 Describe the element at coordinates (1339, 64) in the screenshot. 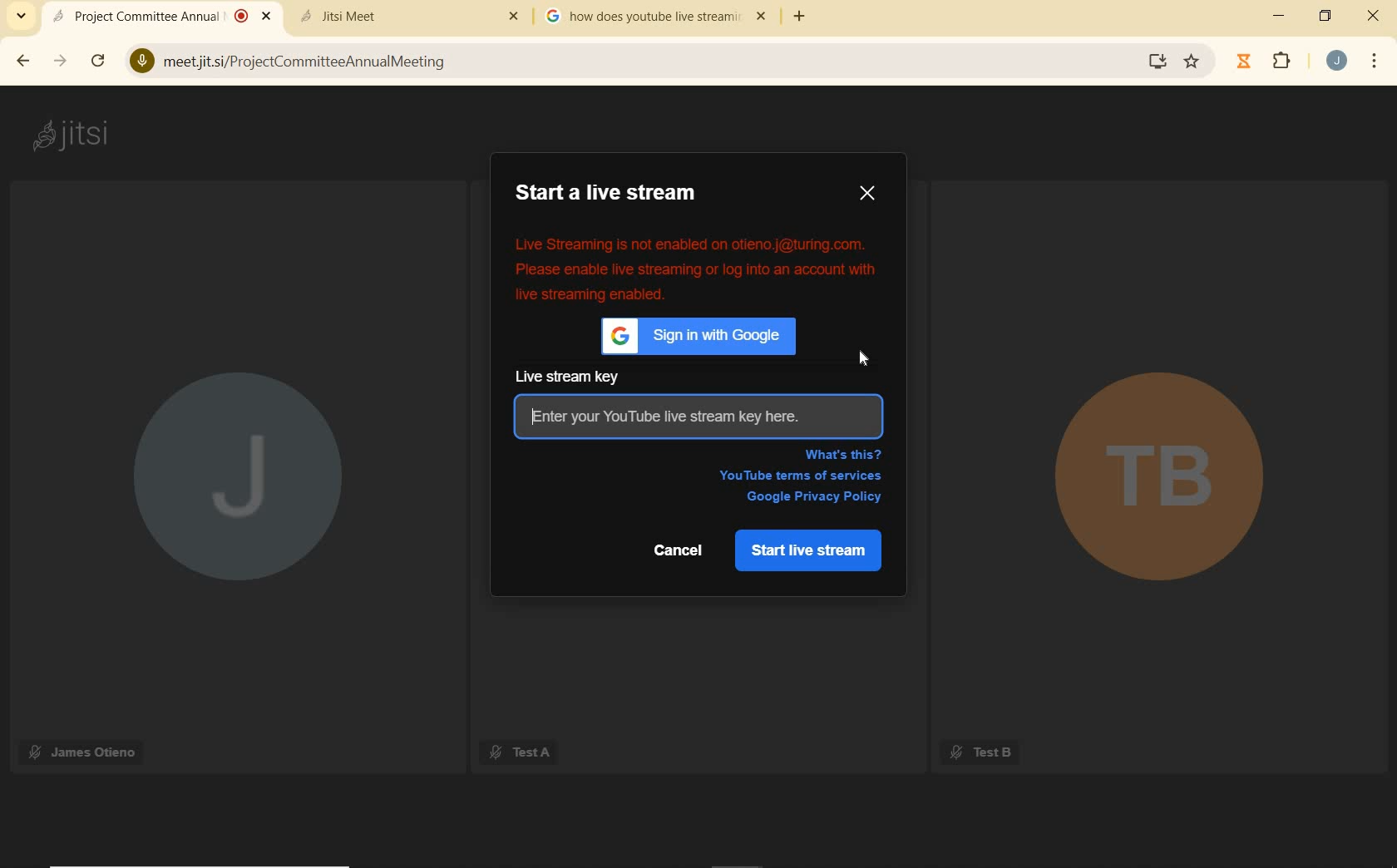

I see `account` at that location.